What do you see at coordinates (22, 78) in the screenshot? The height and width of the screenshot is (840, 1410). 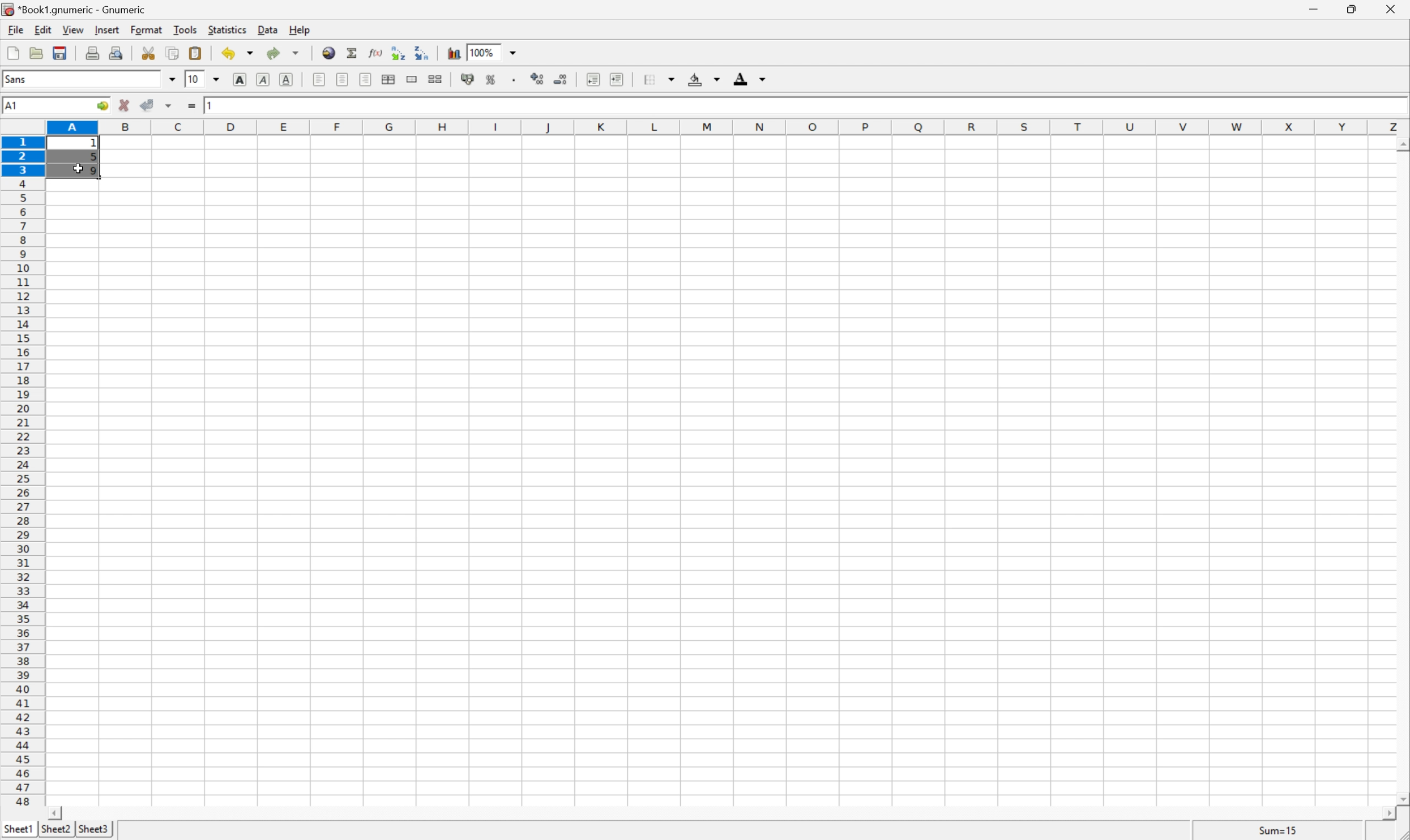 I see `font` at bounding box center [22, 78].